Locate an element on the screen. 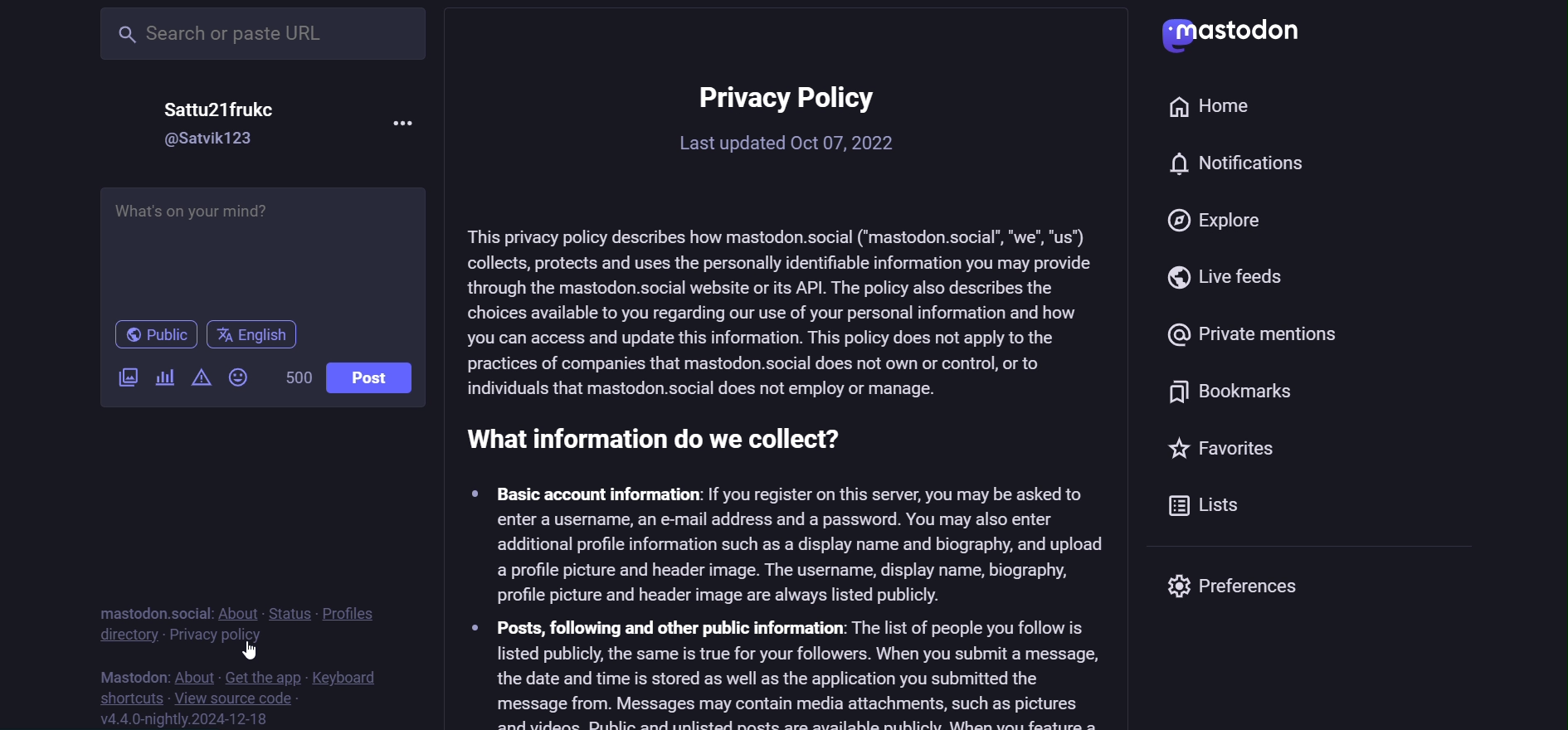  english is located at coordinates (255, 333).